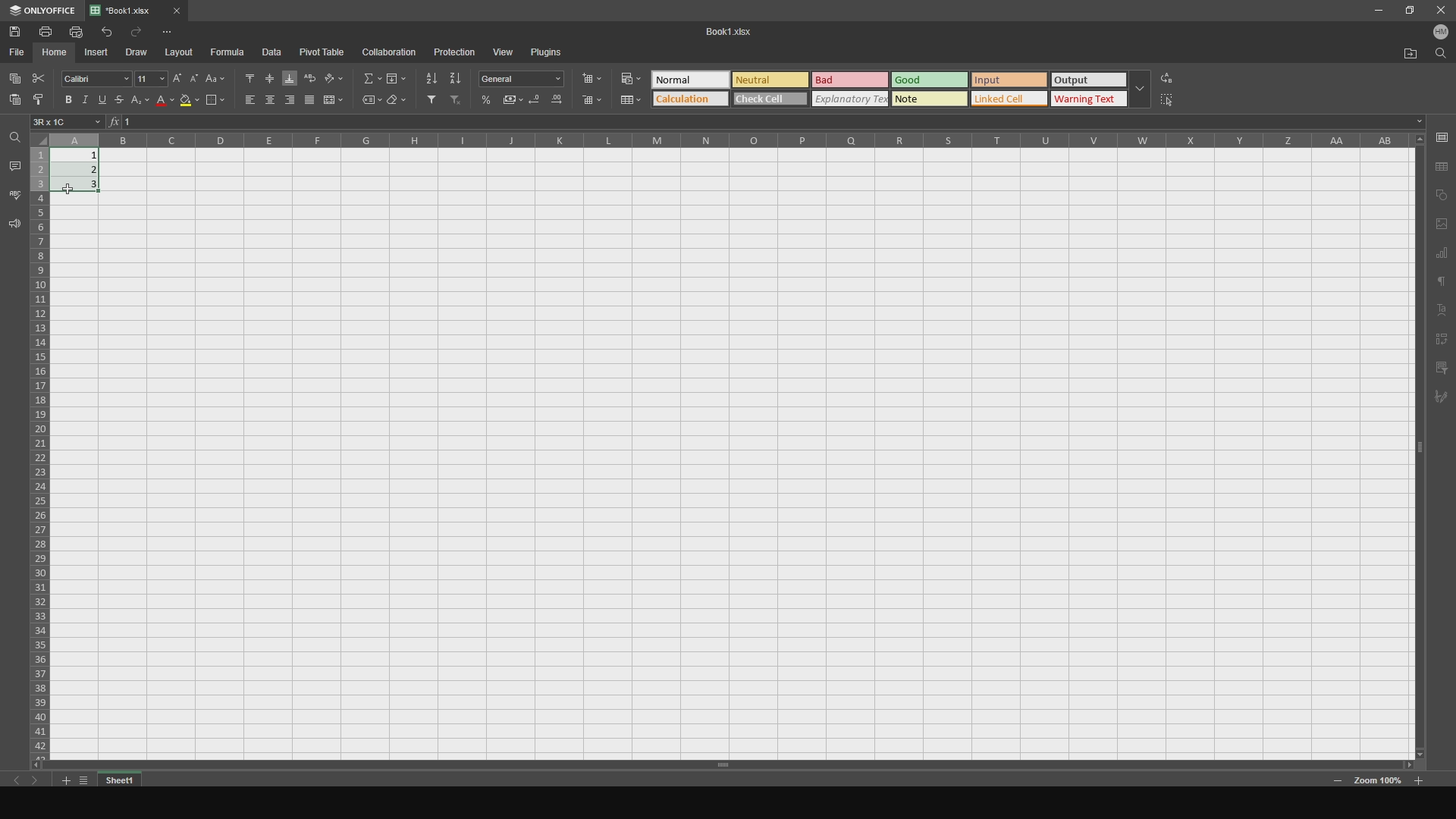 The width and height of the screenshot is (1456, 819). I want to click on , so click(629, 99).